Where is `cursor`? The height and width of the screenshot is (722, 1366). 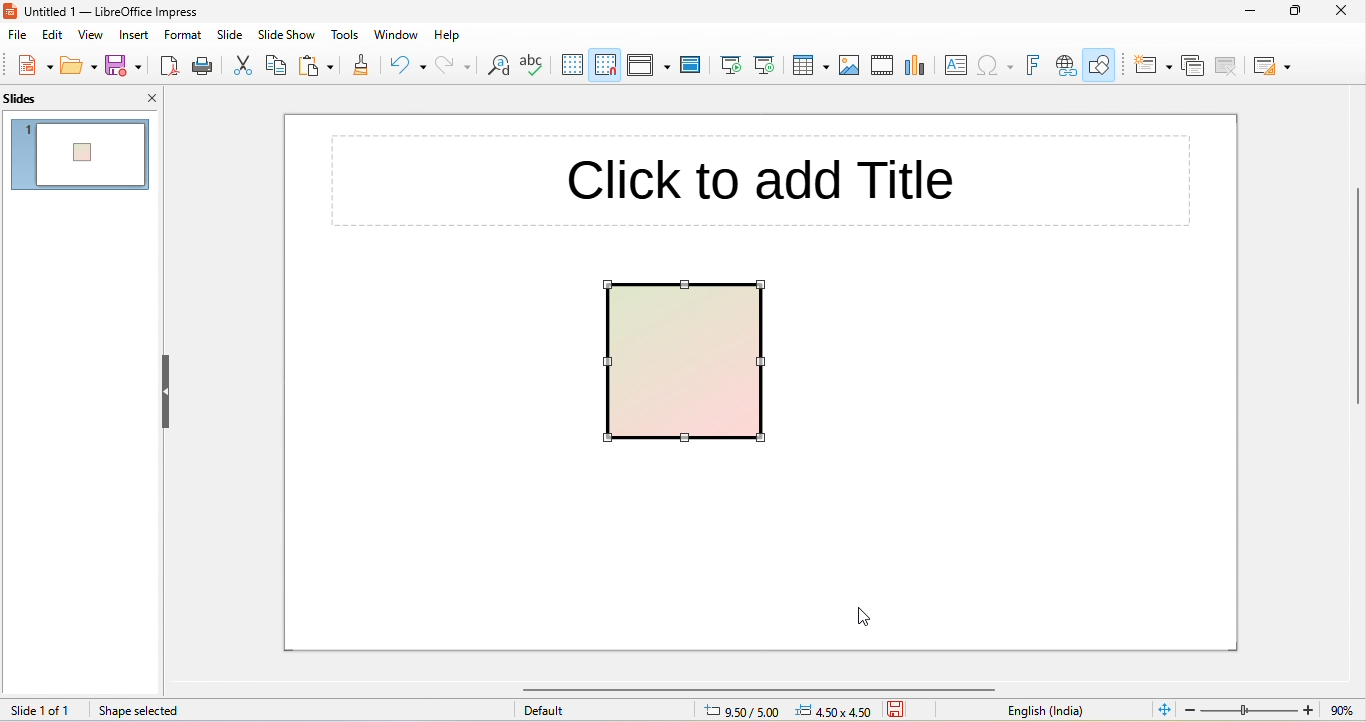
cursor is located at coordinates (856, 618).